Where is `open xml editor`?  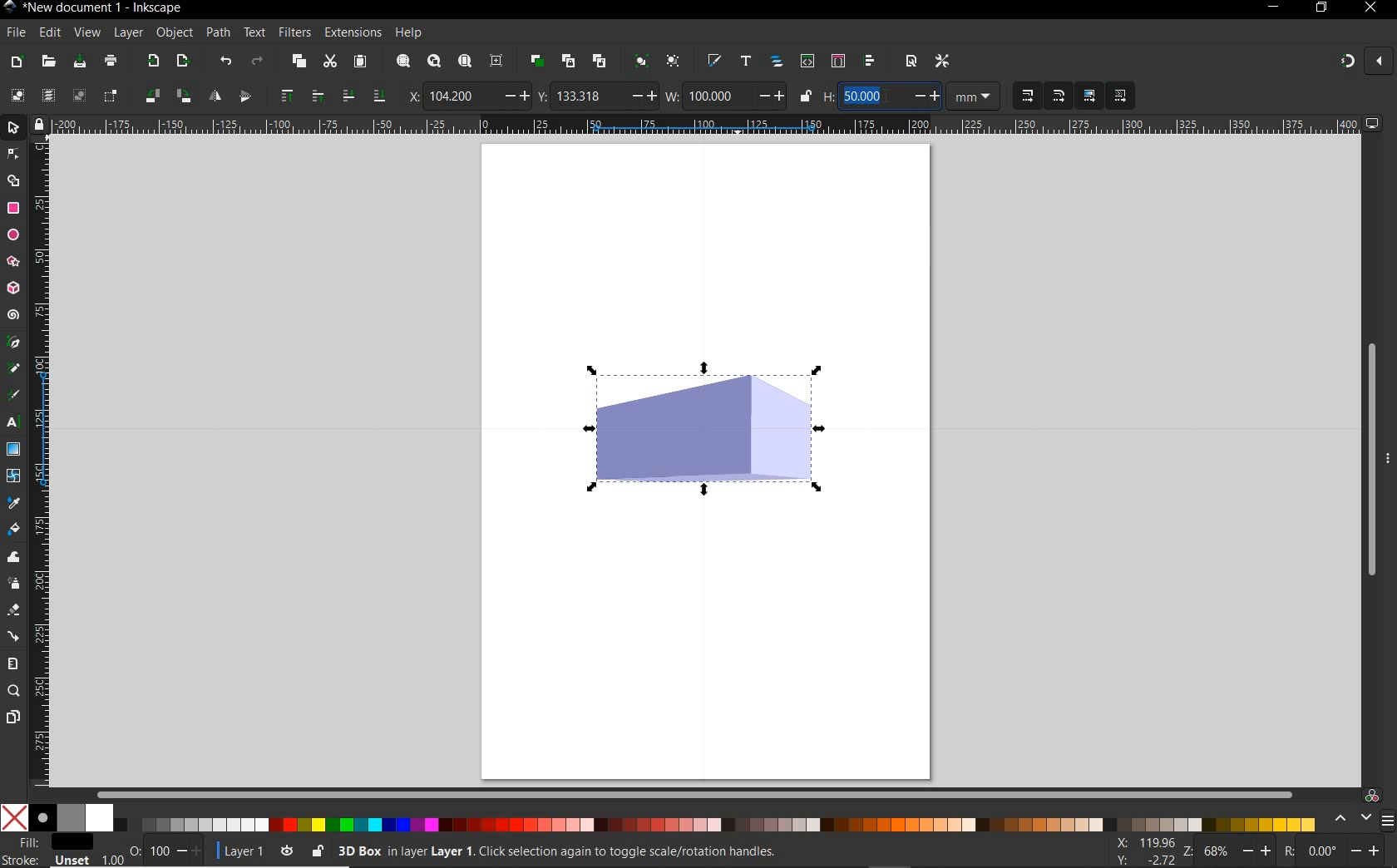
open xml editor is located at coordinates (807, 61).